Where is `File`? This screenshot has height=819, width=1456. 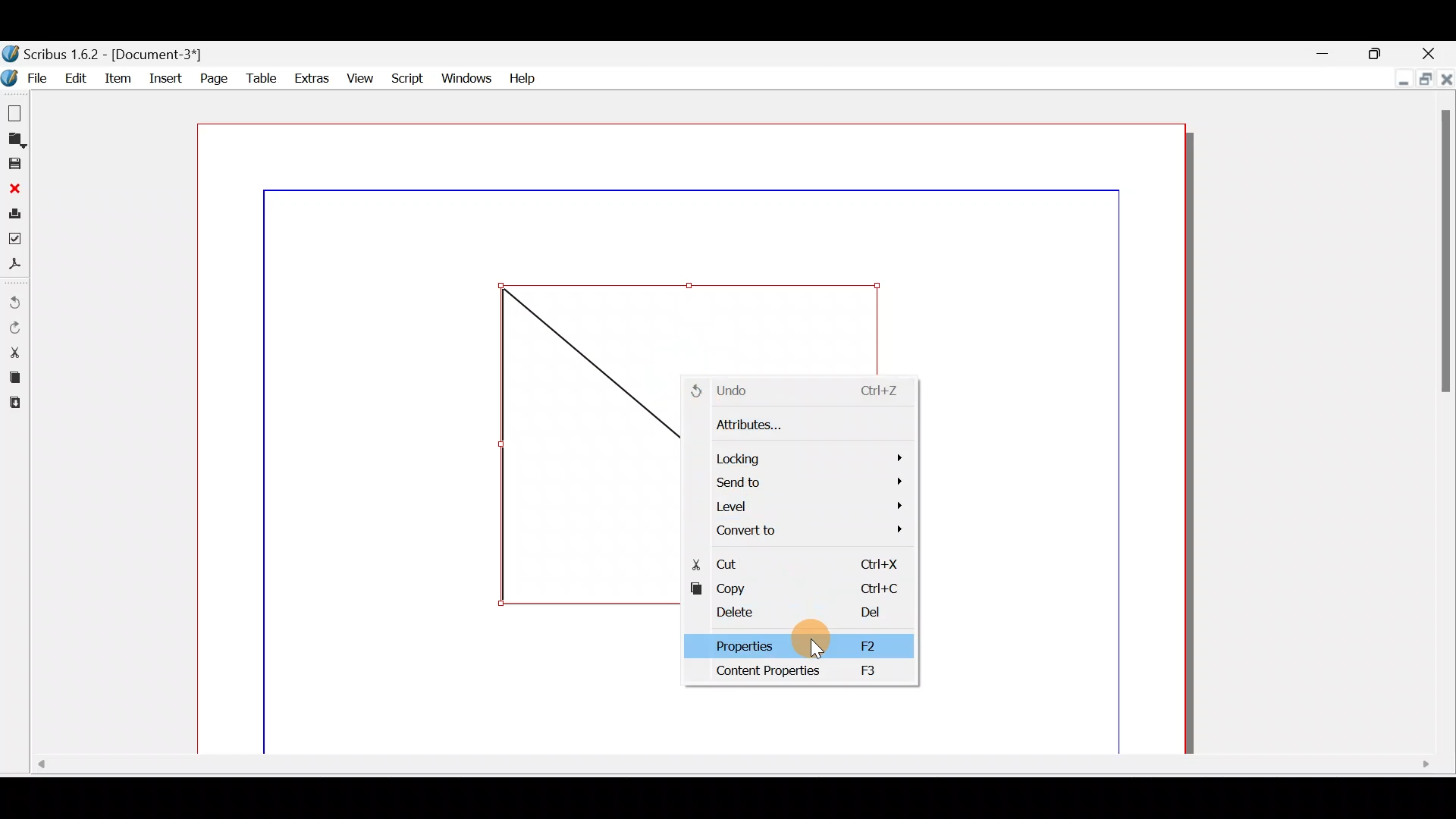
File is located at coordinates (24, 78).